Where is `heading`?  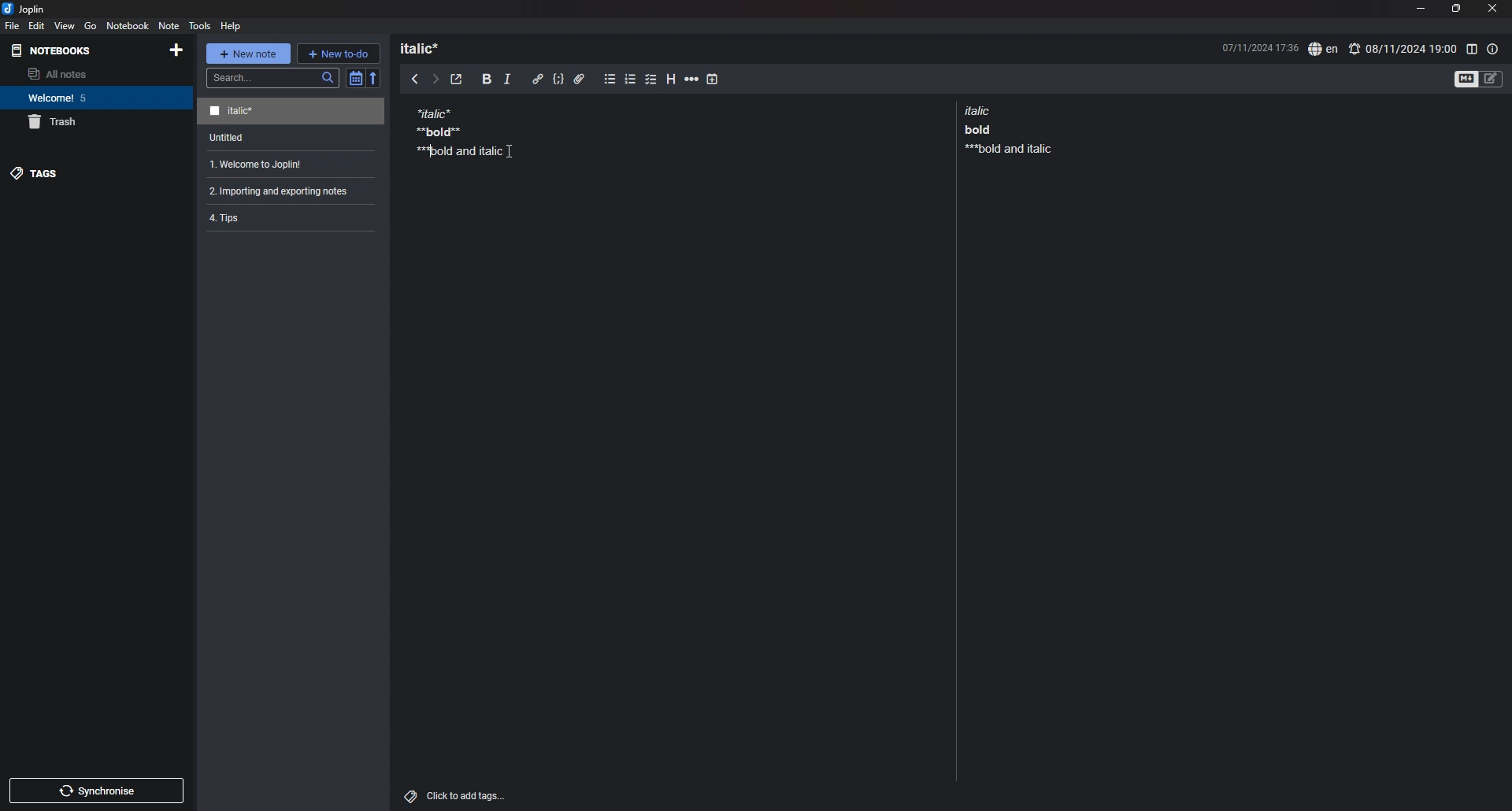 heading is located at coordinates (427, 48).